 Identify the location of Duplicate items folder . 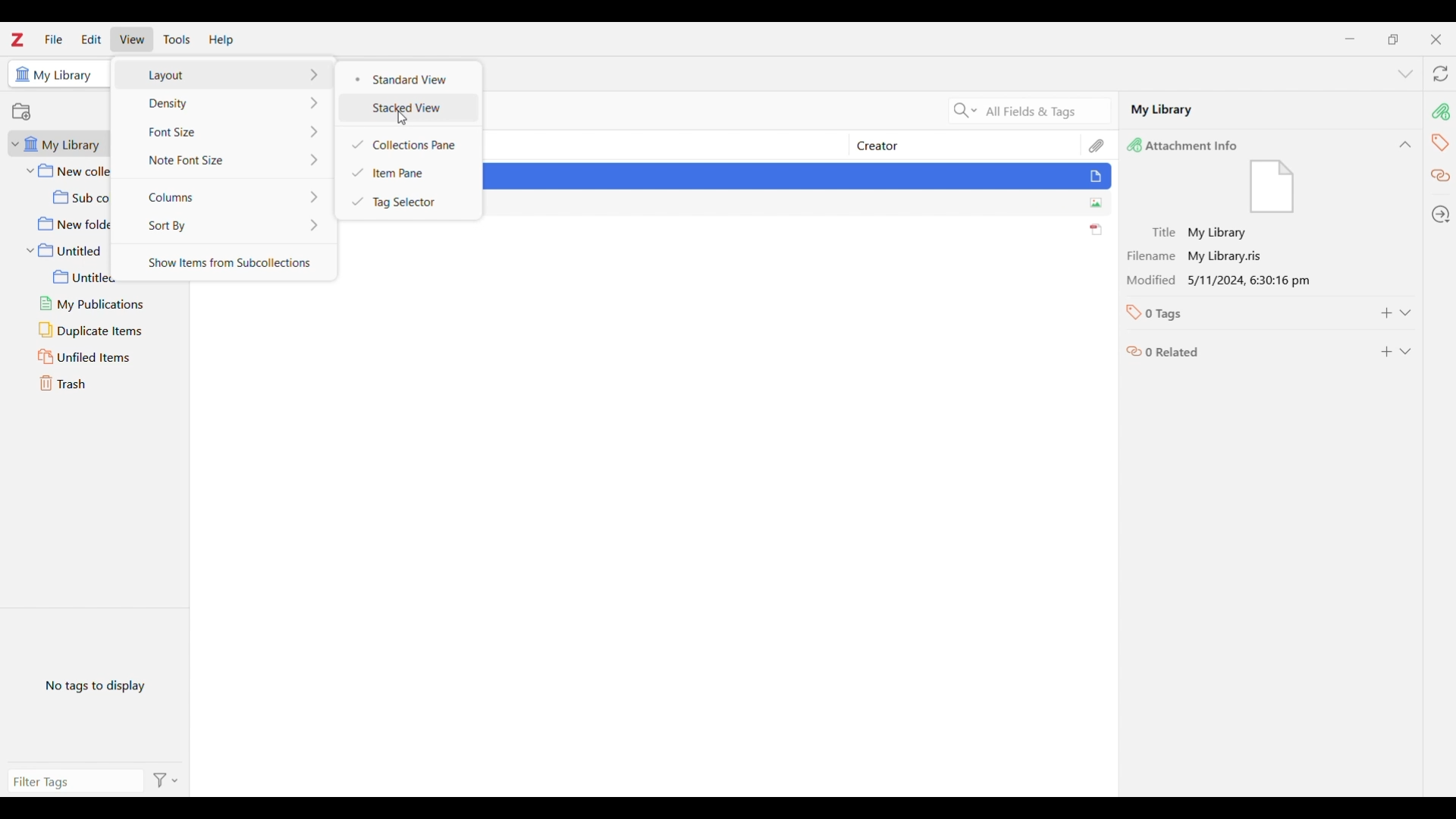
(100, 330).